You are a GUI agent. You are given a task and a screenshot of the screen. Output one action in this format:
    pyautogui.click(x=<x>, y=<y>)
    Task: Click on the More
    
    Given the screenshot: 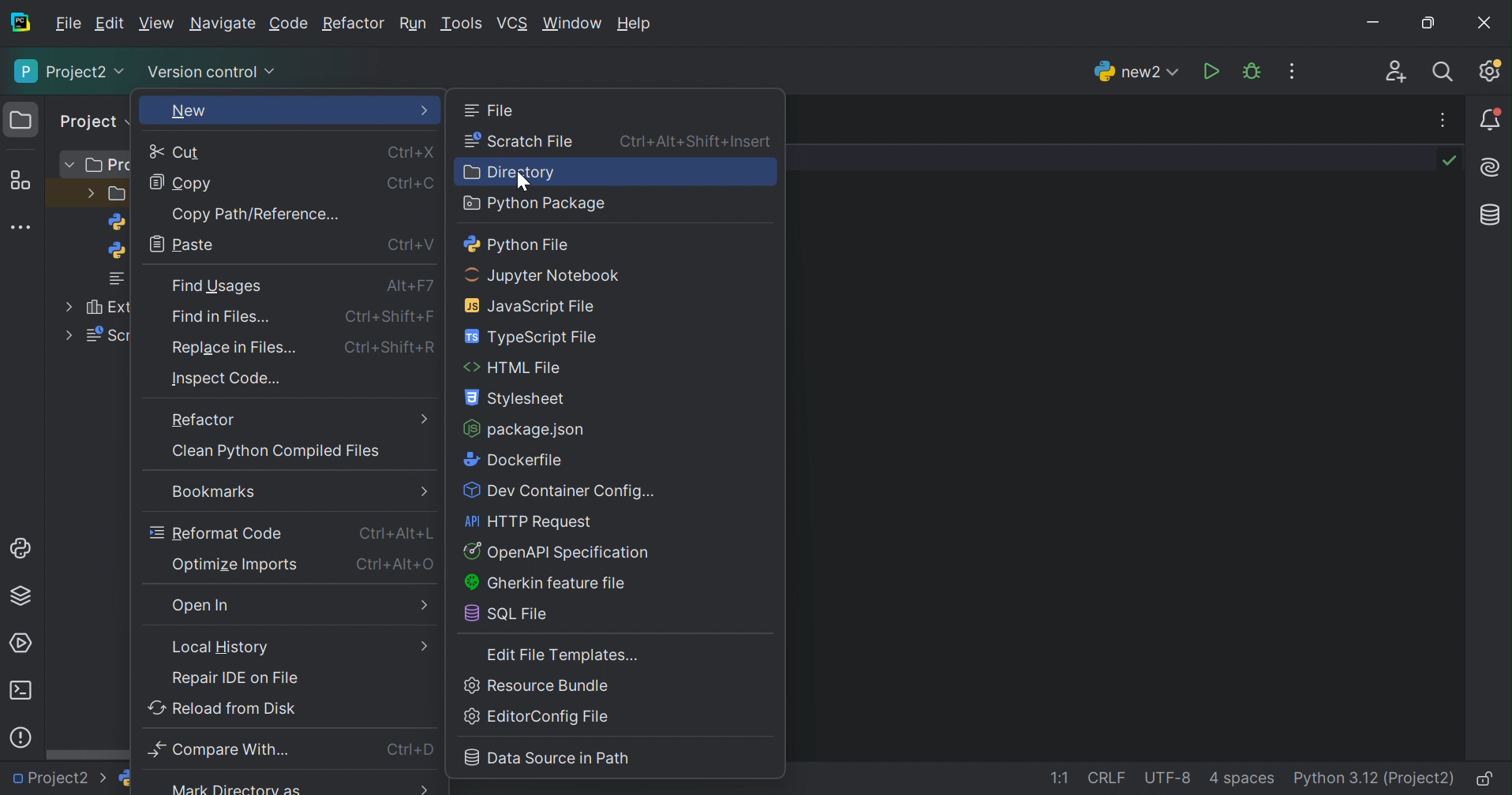 What is the action you would take?
    pyautogui.click(x=65, y=304)
    